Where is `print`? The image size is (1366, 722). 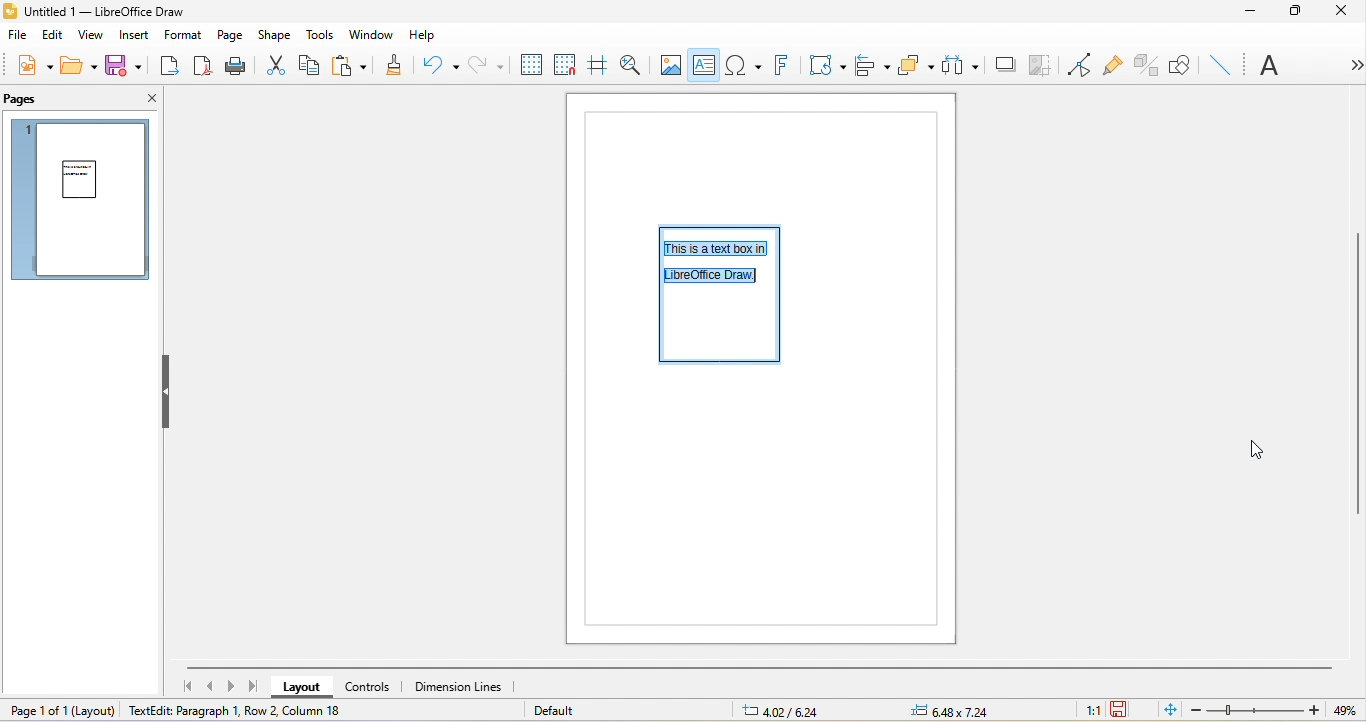 print is located at coordinates (237, 65).